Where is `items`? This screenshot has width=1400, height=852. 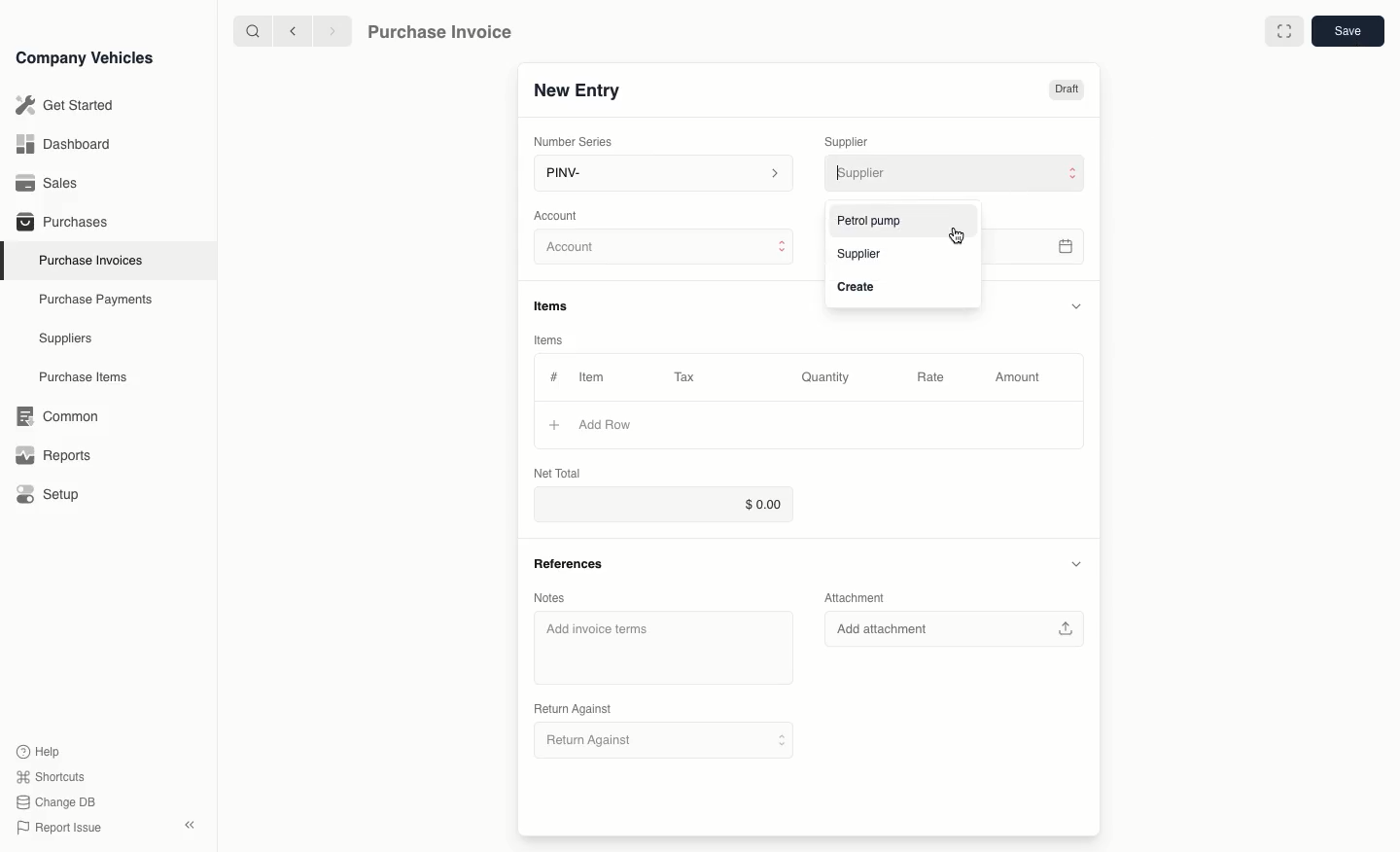
items is located at coordinates (552, 339).